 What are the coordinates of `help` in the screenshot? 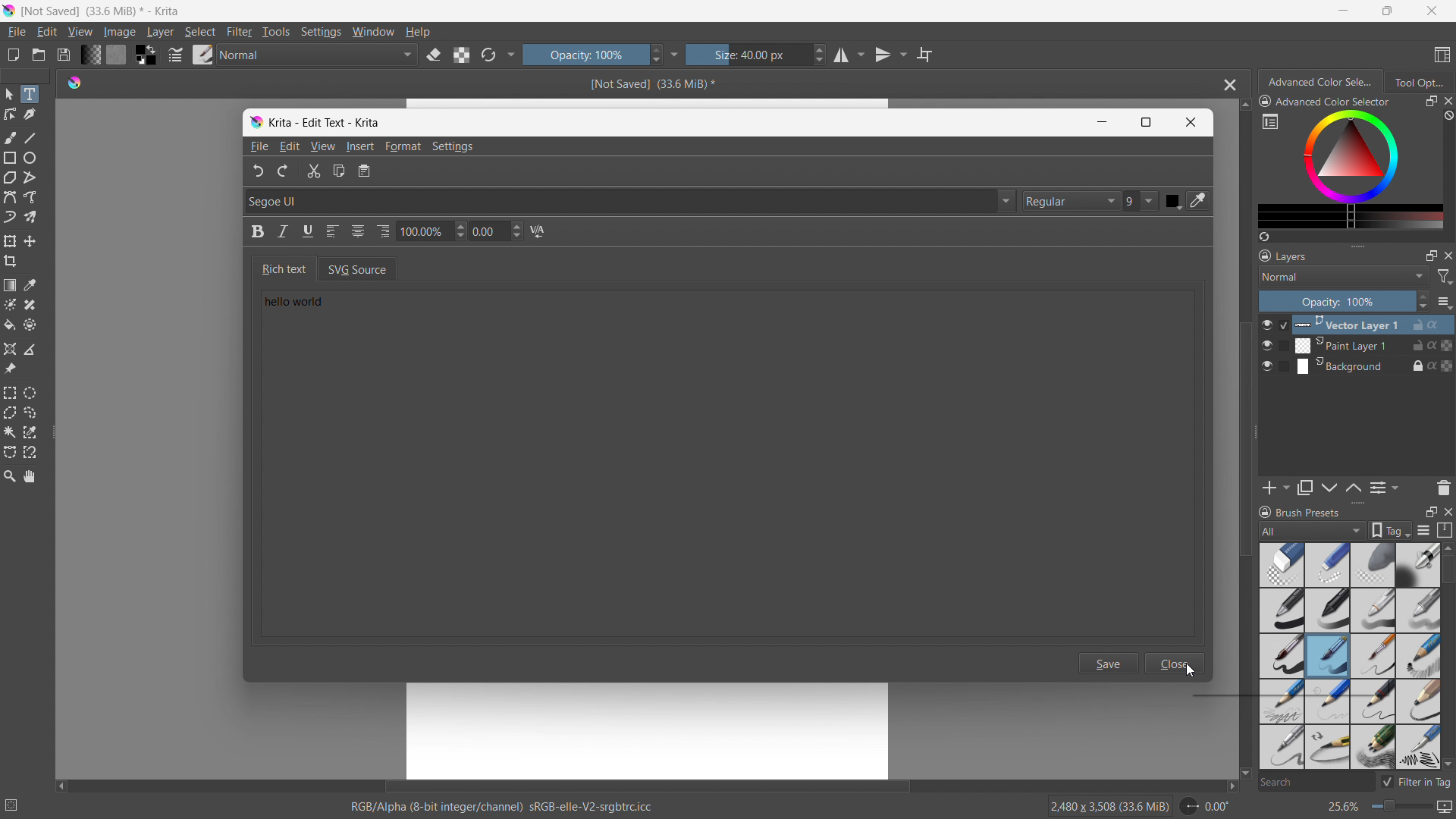 It's located at (418, 31).